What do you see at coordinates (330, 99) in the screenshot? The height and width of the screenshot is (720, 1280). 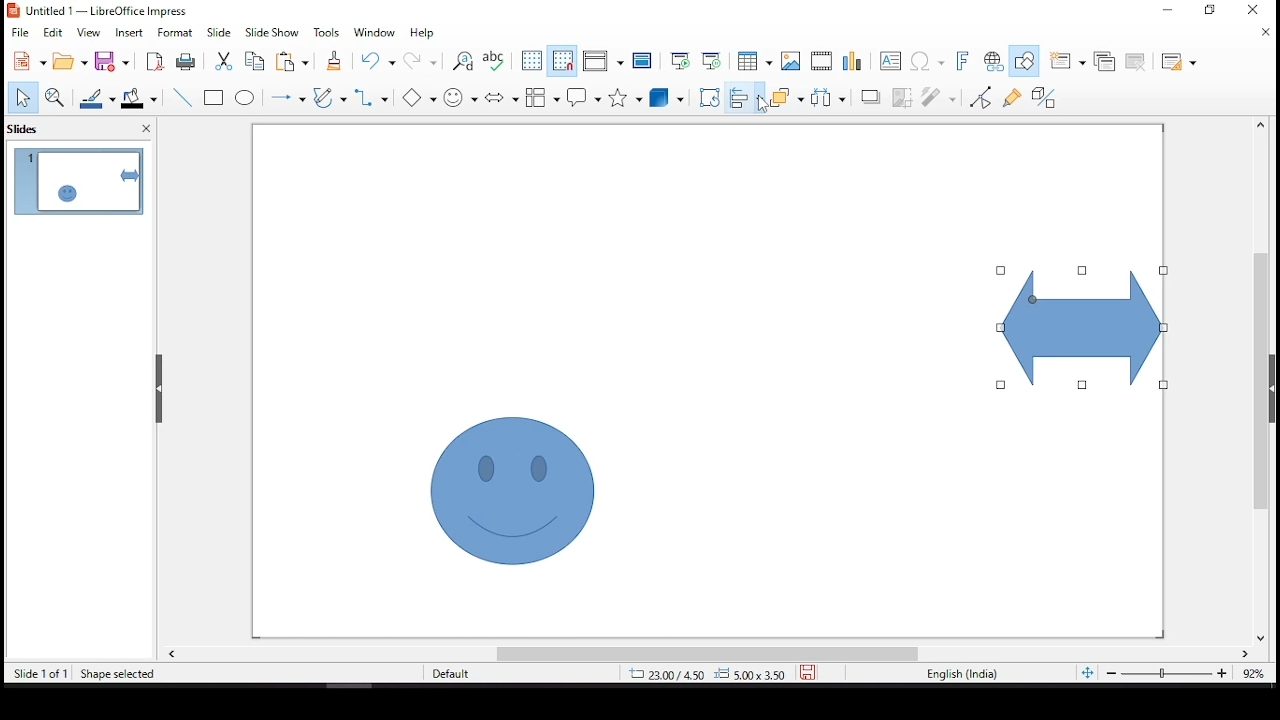 I see `curves and polygons` at bounding box center [330, 99].